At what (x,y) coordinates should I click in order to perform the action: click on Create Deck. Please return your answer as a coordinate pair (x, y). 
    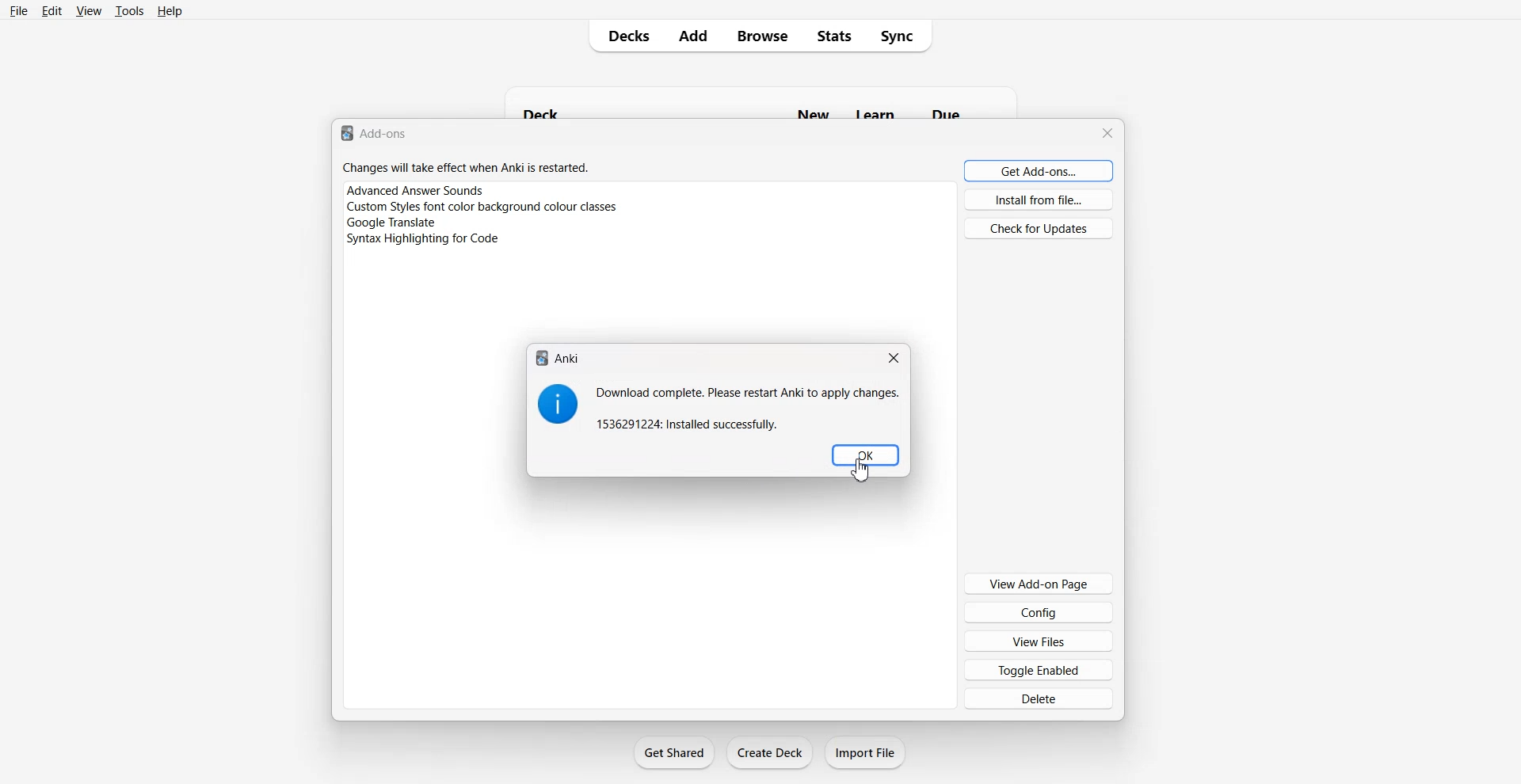
    Looking at the image, I should click on (769, 752).